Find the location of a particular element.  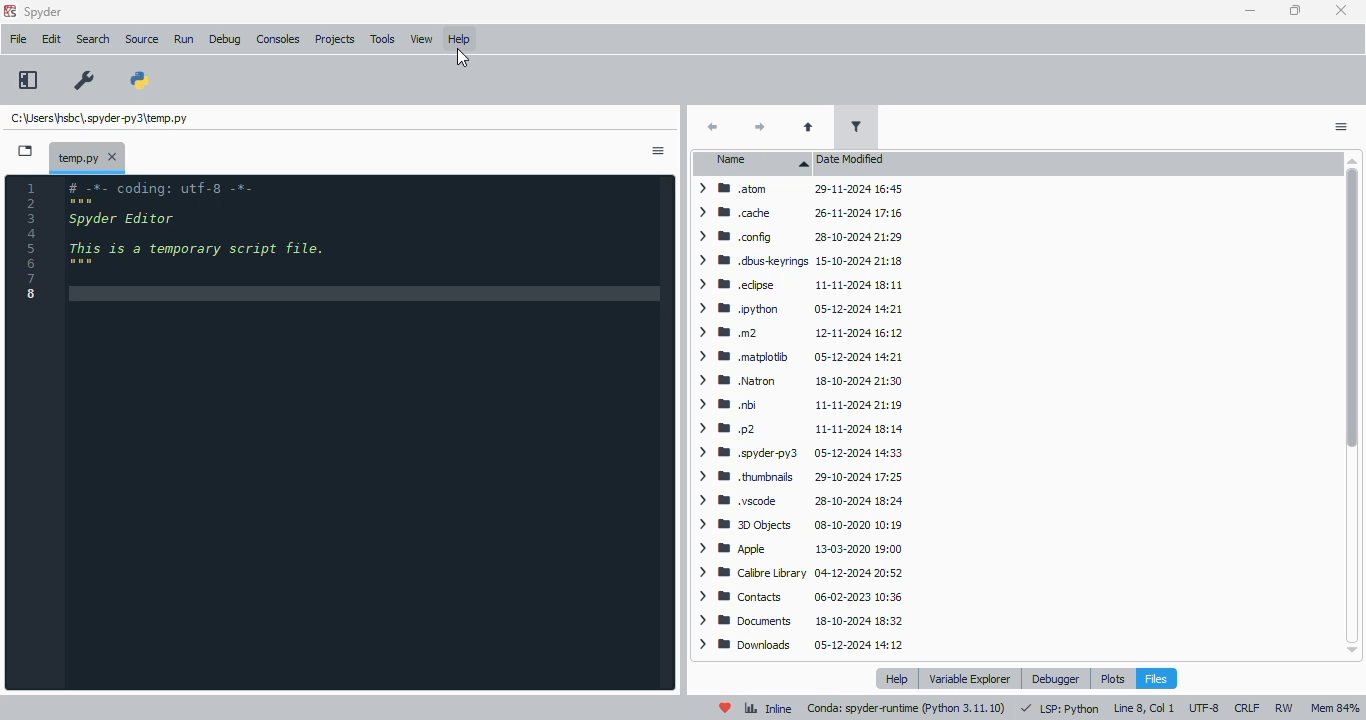

debugger is located at coordinates (1057, 679).